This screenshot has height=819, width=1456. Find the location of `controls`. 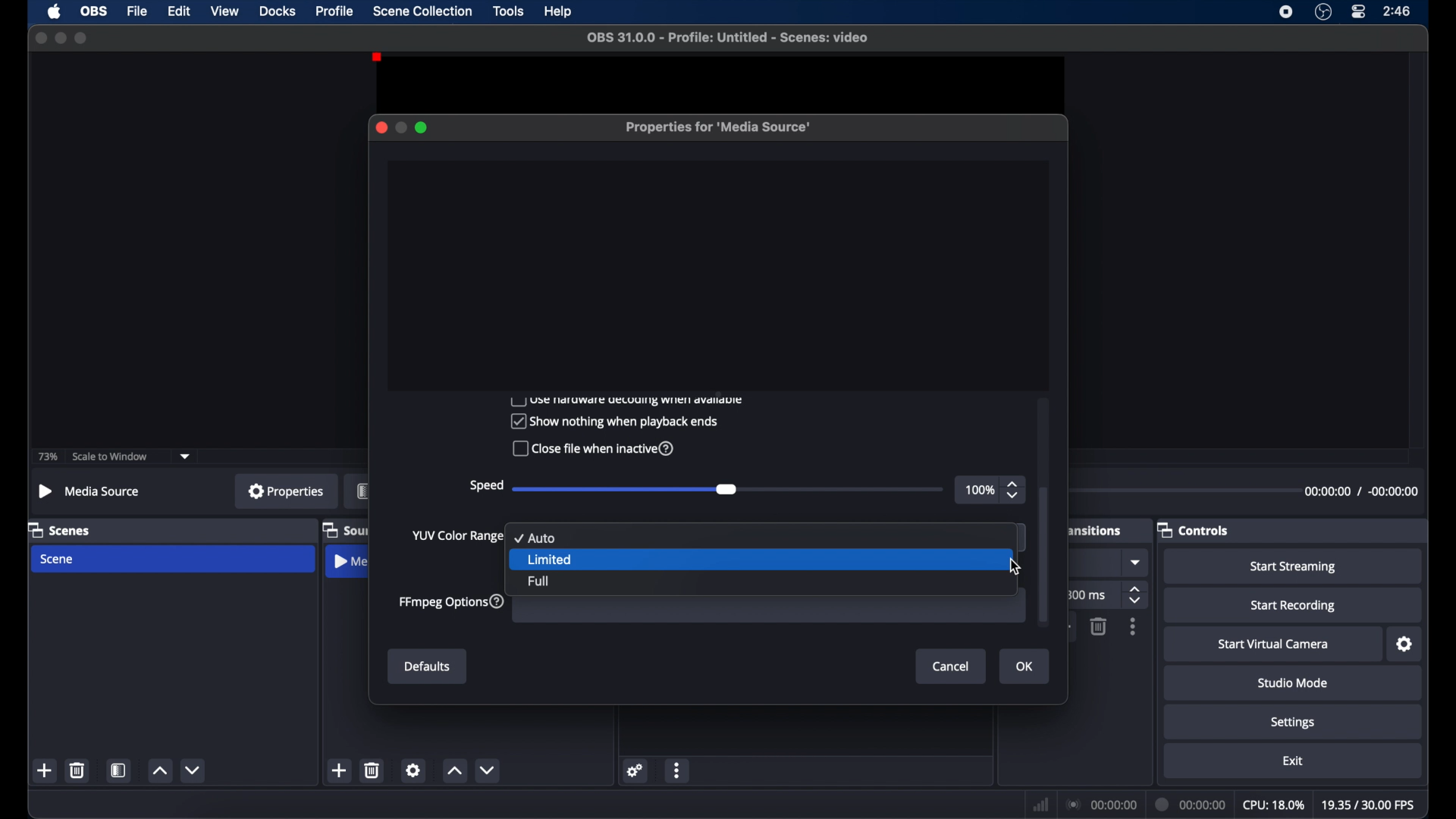

controls is located at coordinates (1194, 529).